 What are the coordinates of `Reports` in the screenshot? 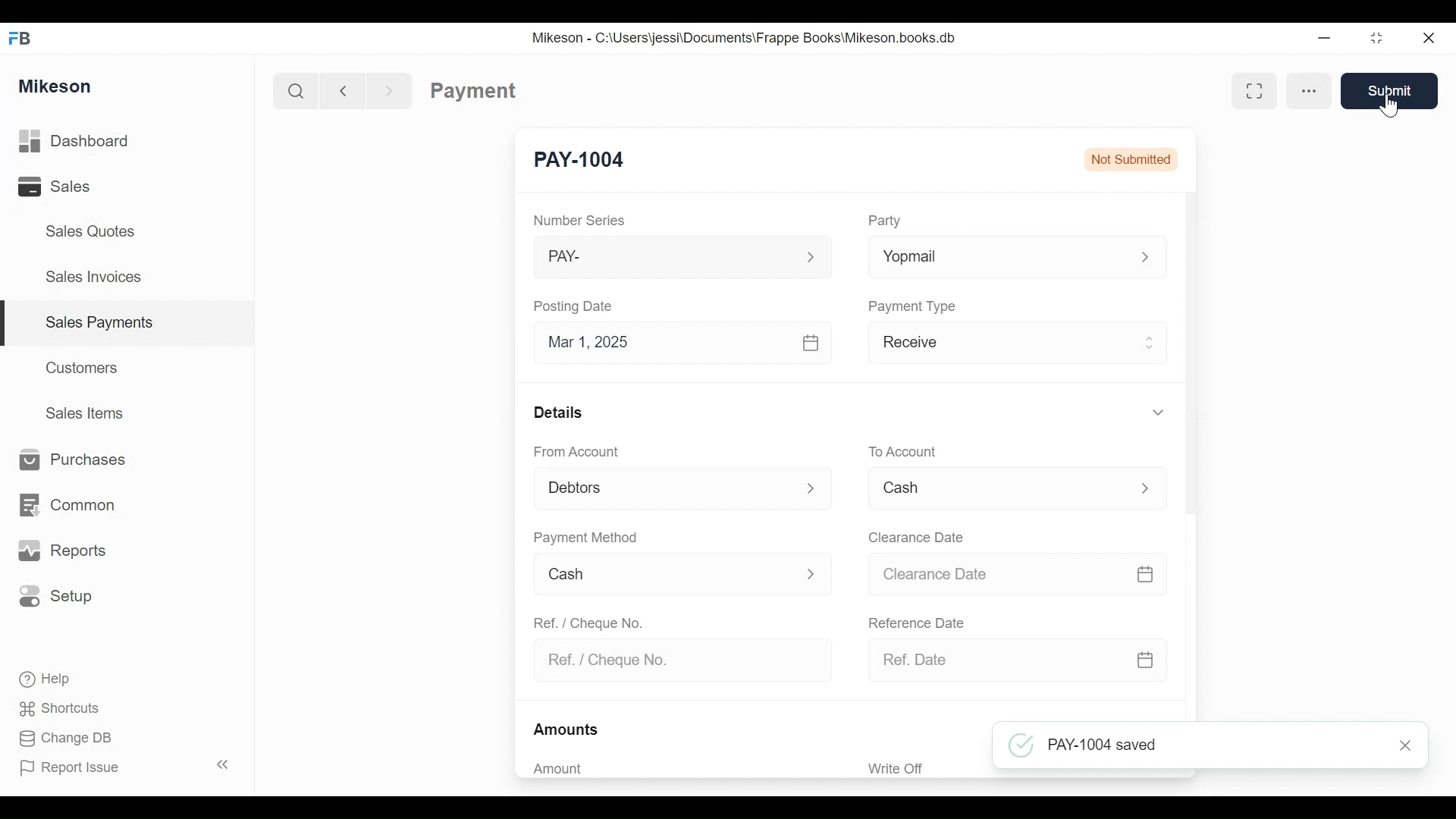 It's located at (65, 551).